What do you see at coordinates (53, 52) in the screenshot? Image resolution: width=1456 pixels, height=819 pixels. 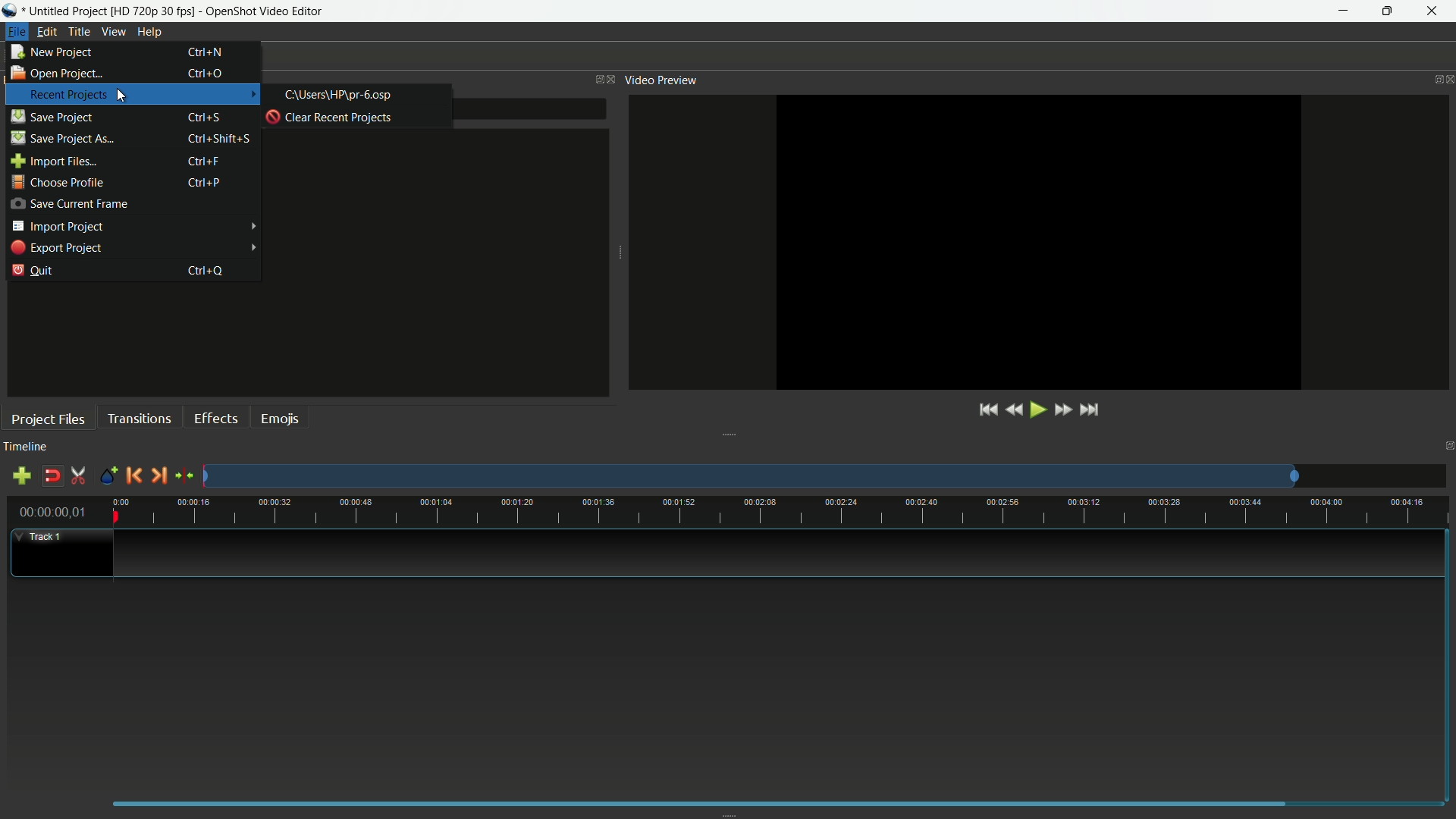 I see `new project` at bounding box center [53, 52].